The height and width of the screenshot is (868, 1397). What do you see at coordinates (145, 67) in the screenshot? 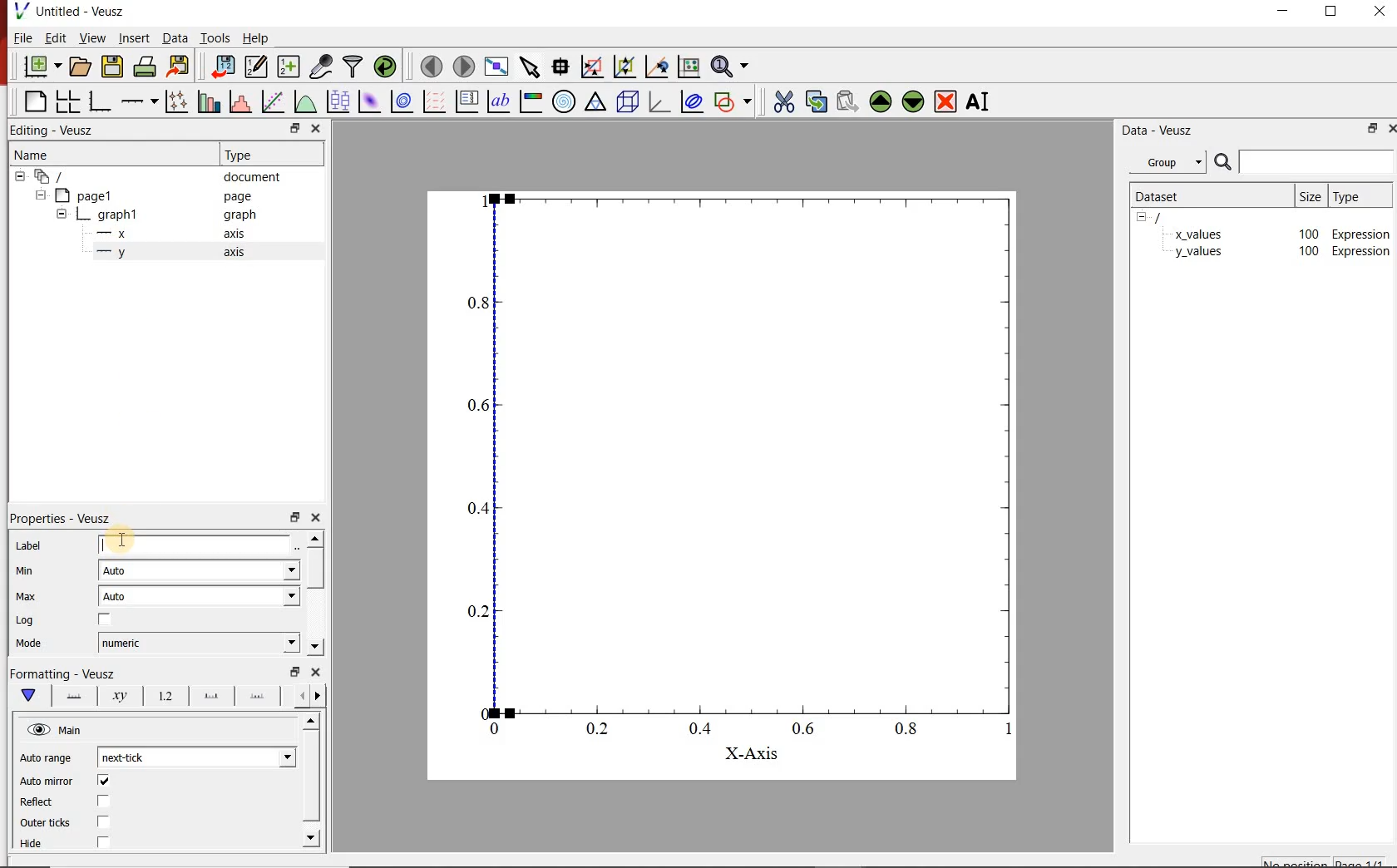
I see `print the documents` at bounding box center [145, 67].